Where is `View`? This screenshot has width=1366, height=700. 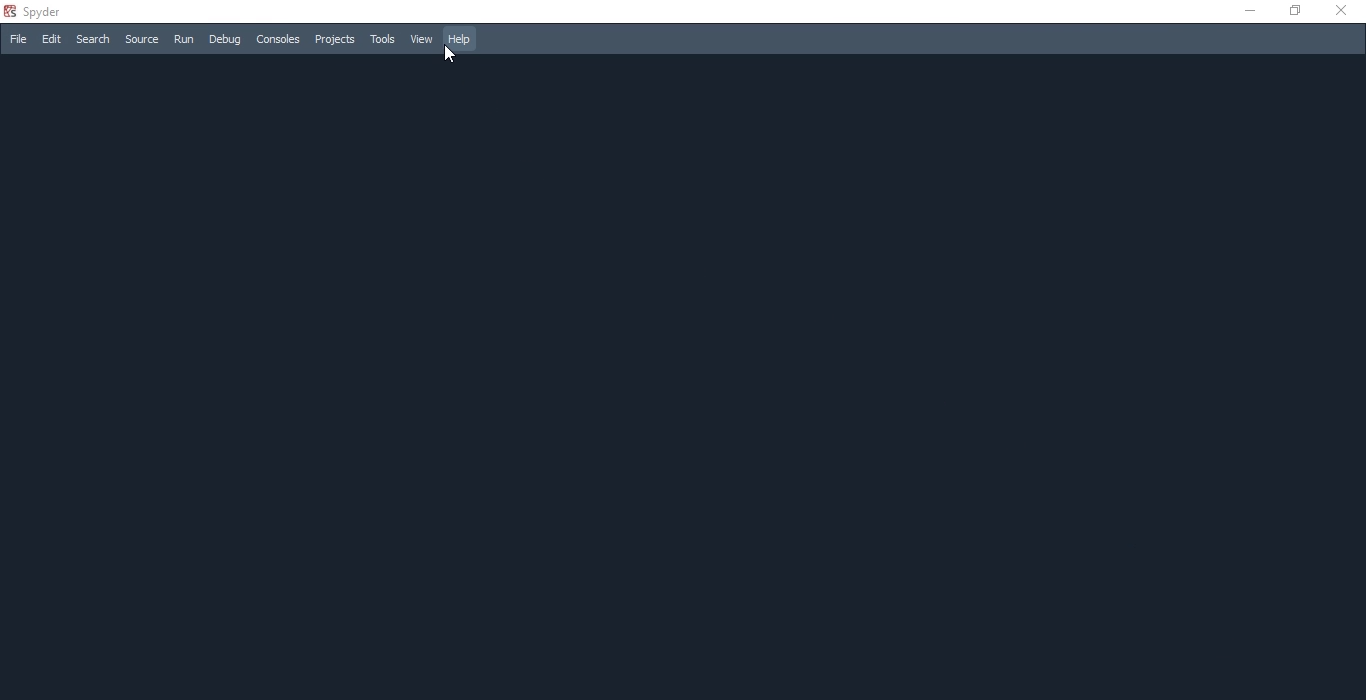 View is located at coordinates (419, 37).